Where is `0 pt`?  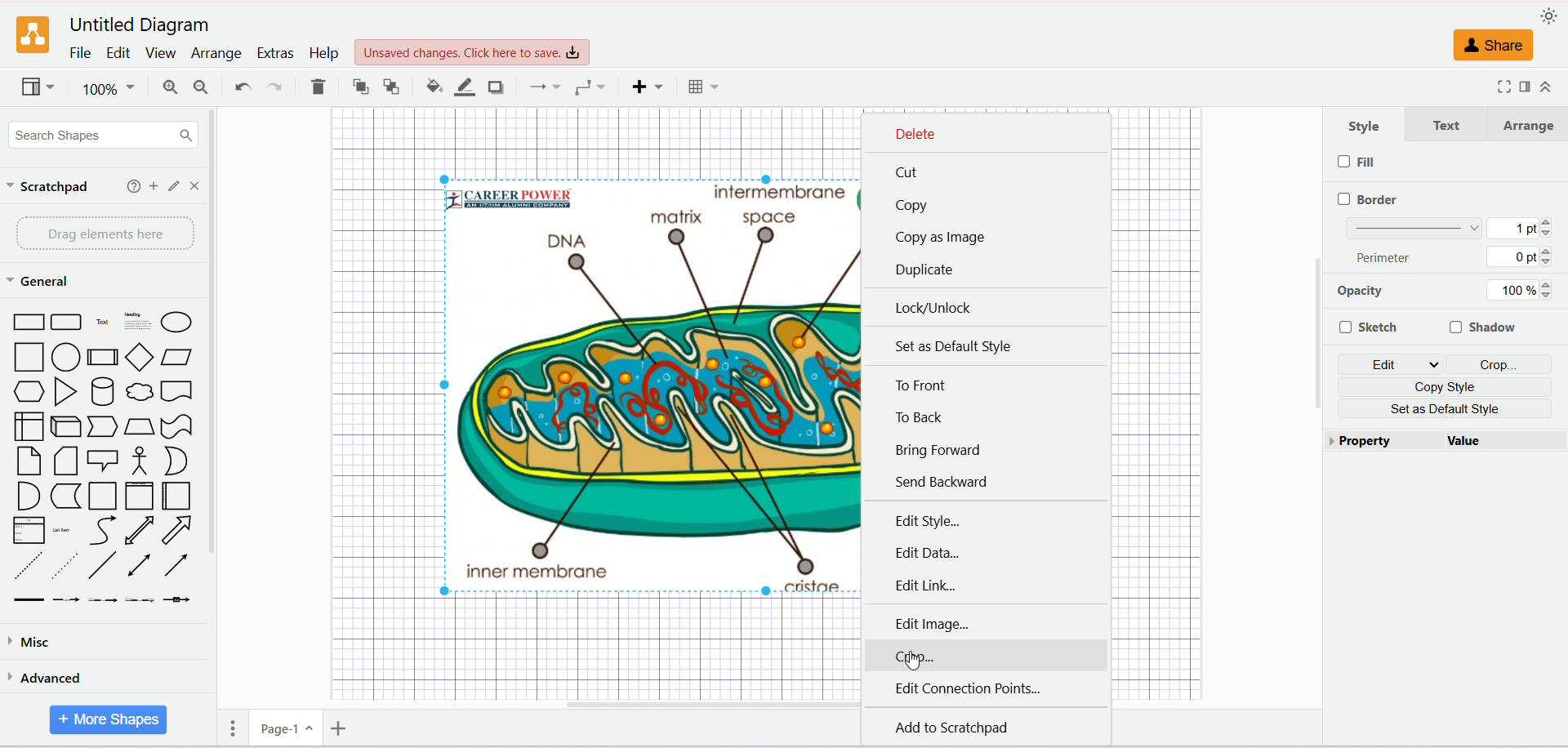
0 pt is located at coordinates (1523, 256).